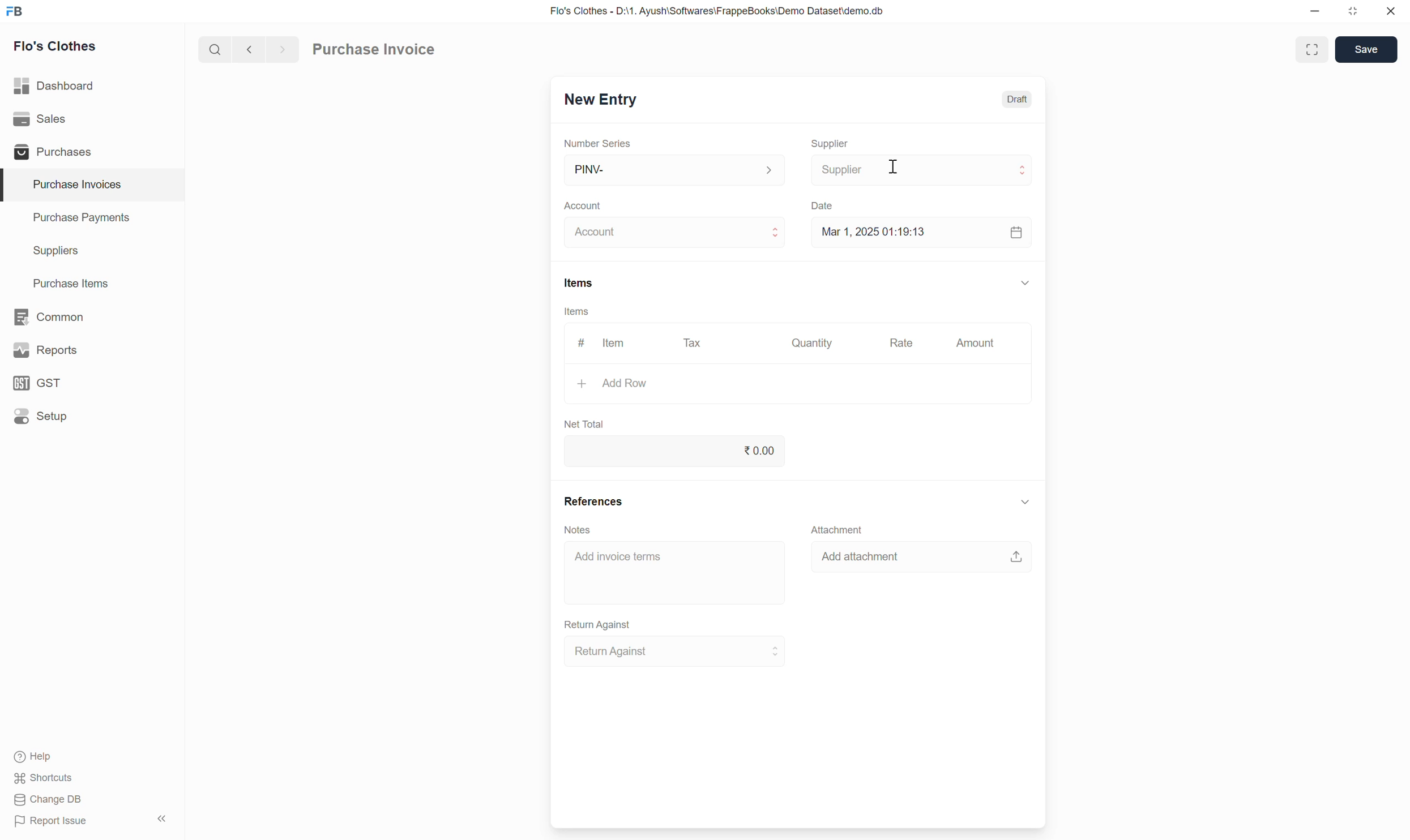  I want to click on References, so click(595, 501).